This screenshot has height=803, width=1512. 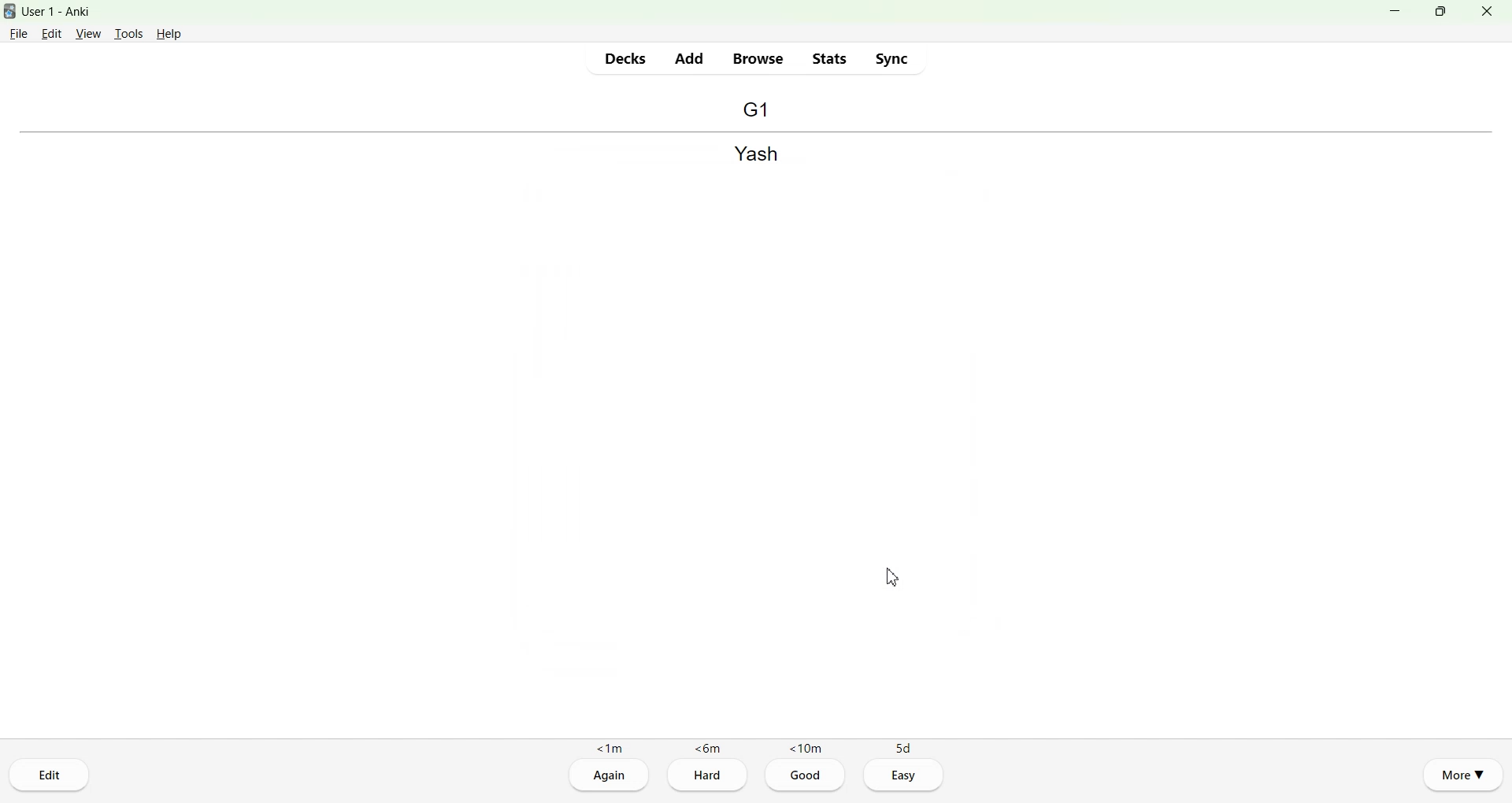 What do you see at coordinates (688, 58) in the screenshot?
I see `Add` at bounding box center [688, 58].